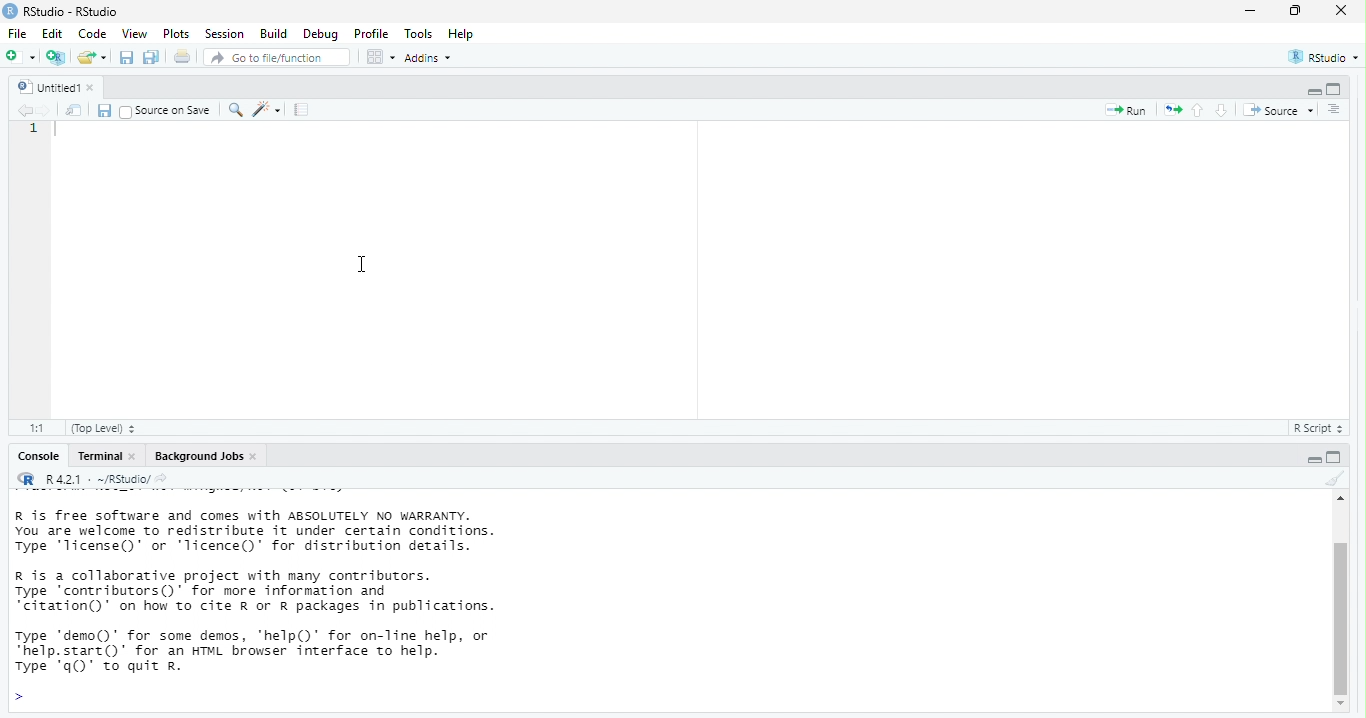  Describe the element at coordinates (266, 110) in the screenshot. I see `code tools` at that location.